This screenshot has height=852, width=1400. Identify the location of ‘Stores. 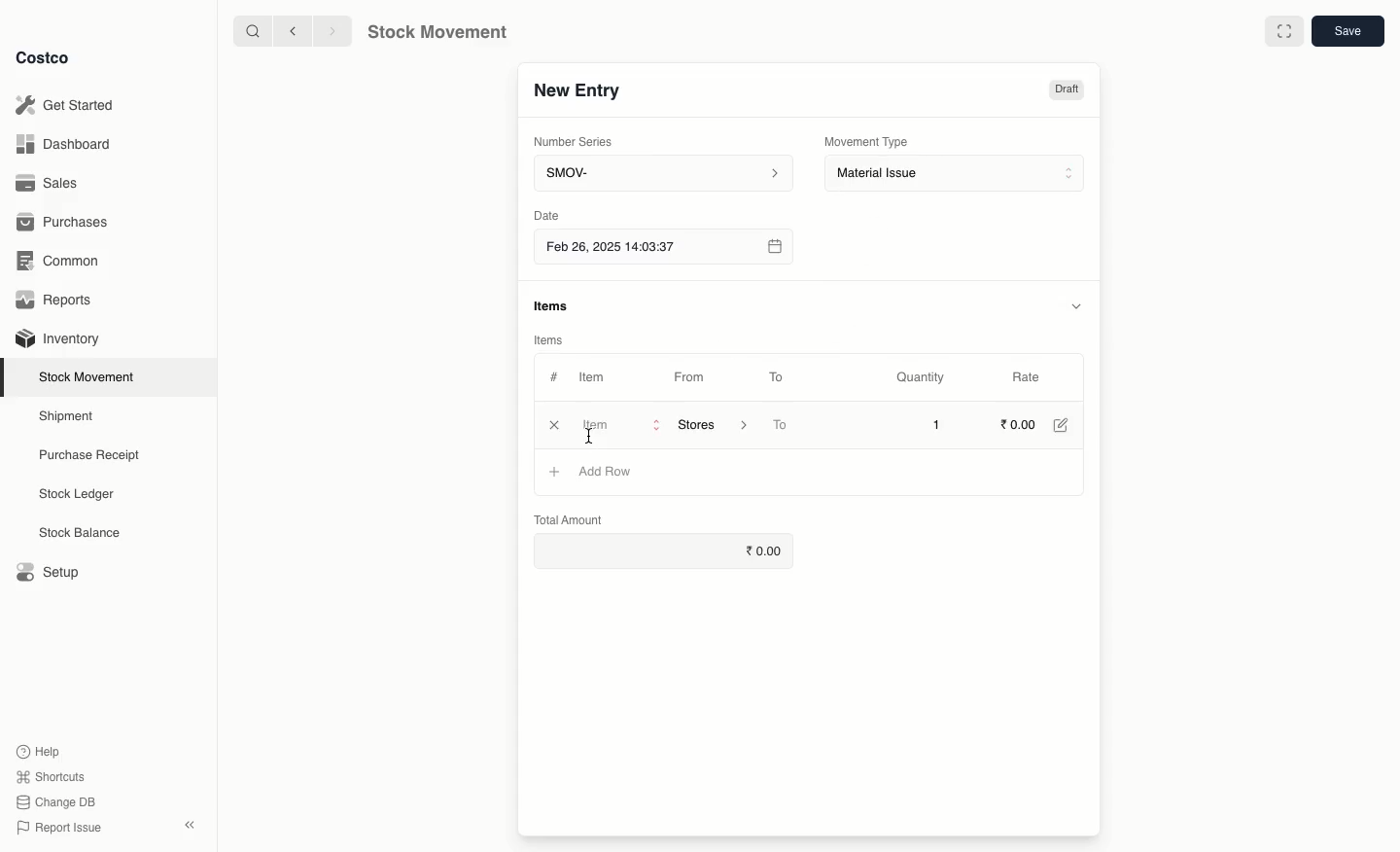
(710, 423).